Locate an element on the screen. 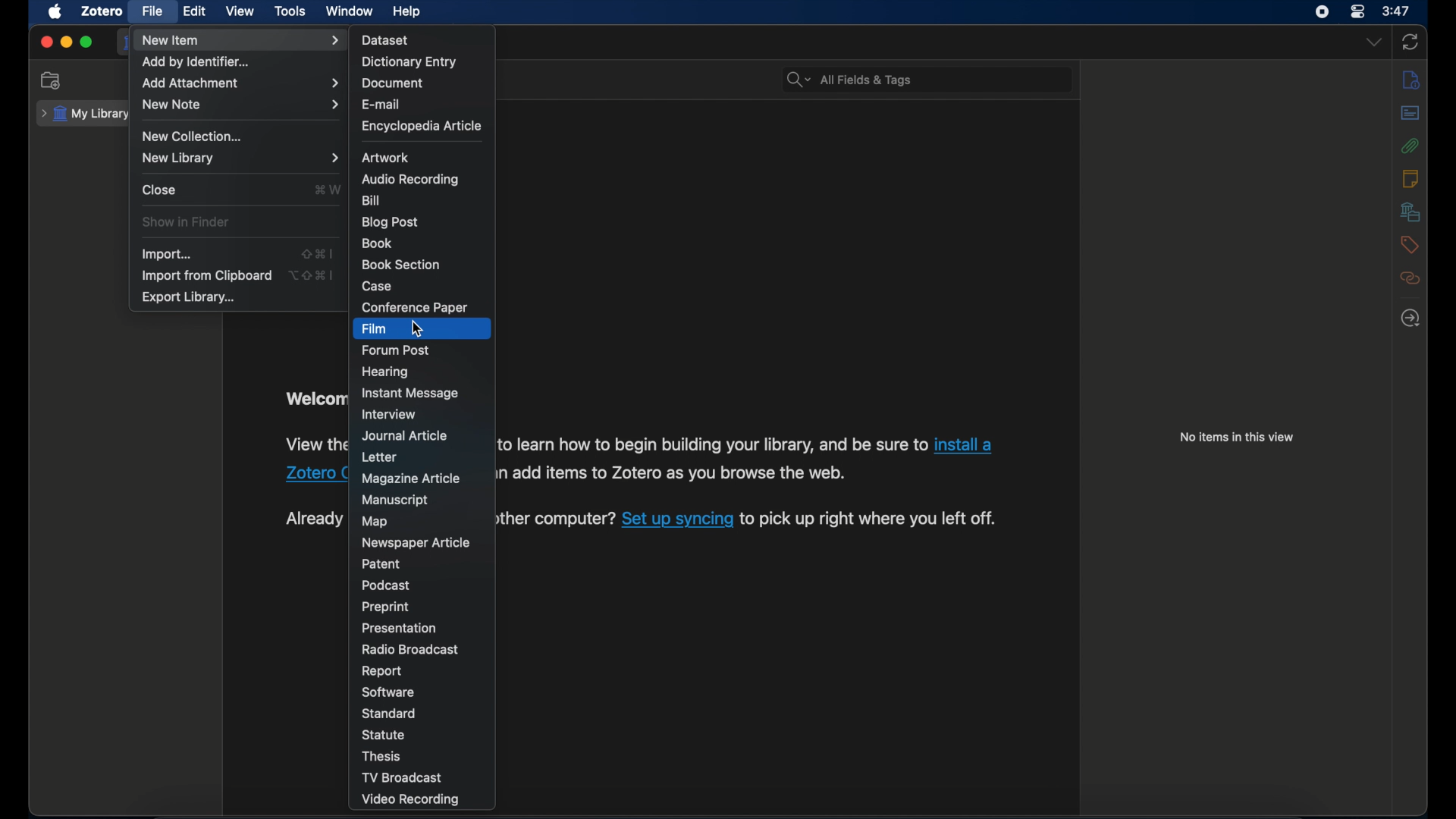 The height and width of the screenshot is (819, 1456). patent is located at coordinates (383, 563).